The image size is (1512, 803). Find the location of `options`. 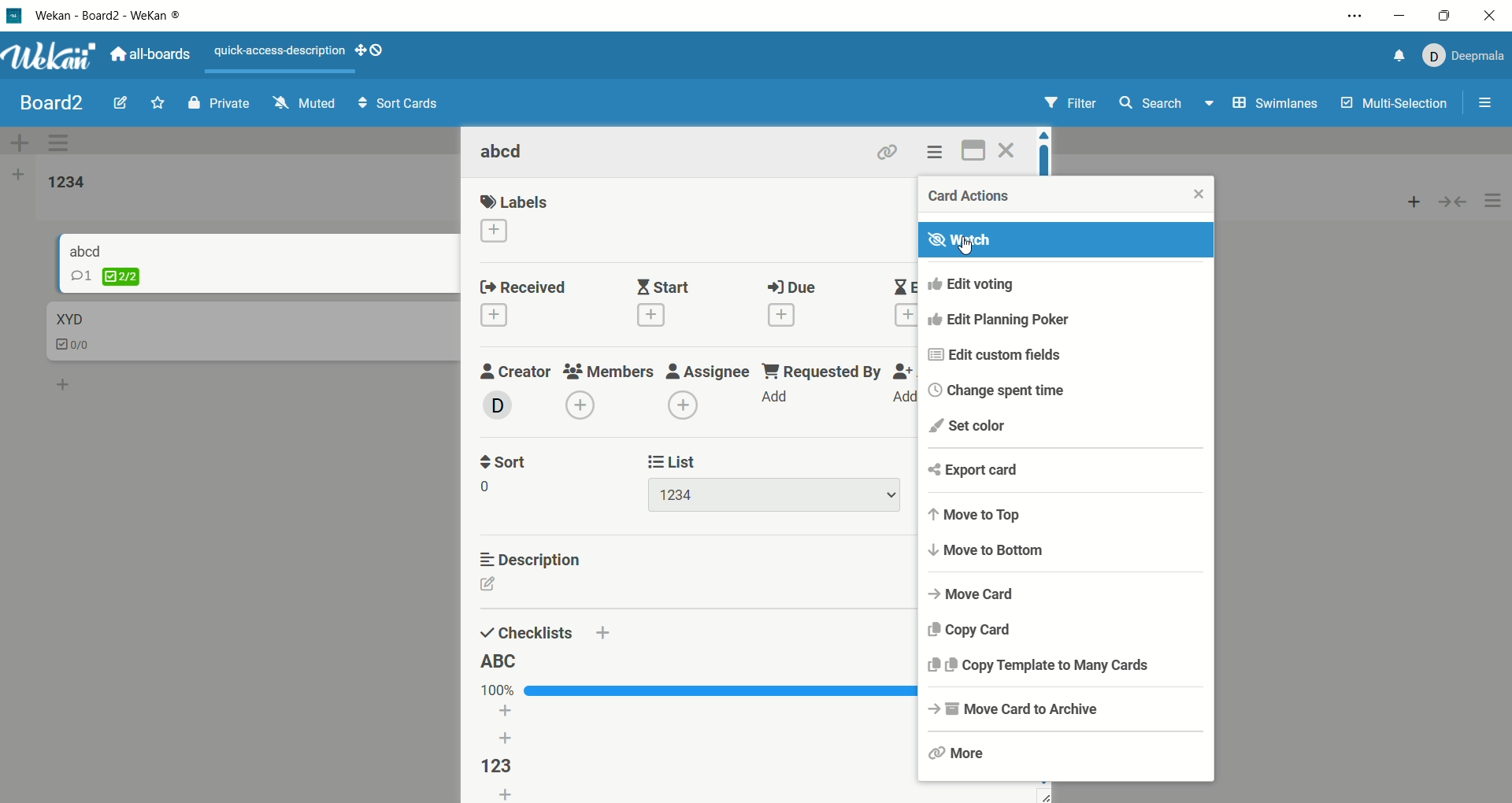

options is located at coordinates (1488, 104).